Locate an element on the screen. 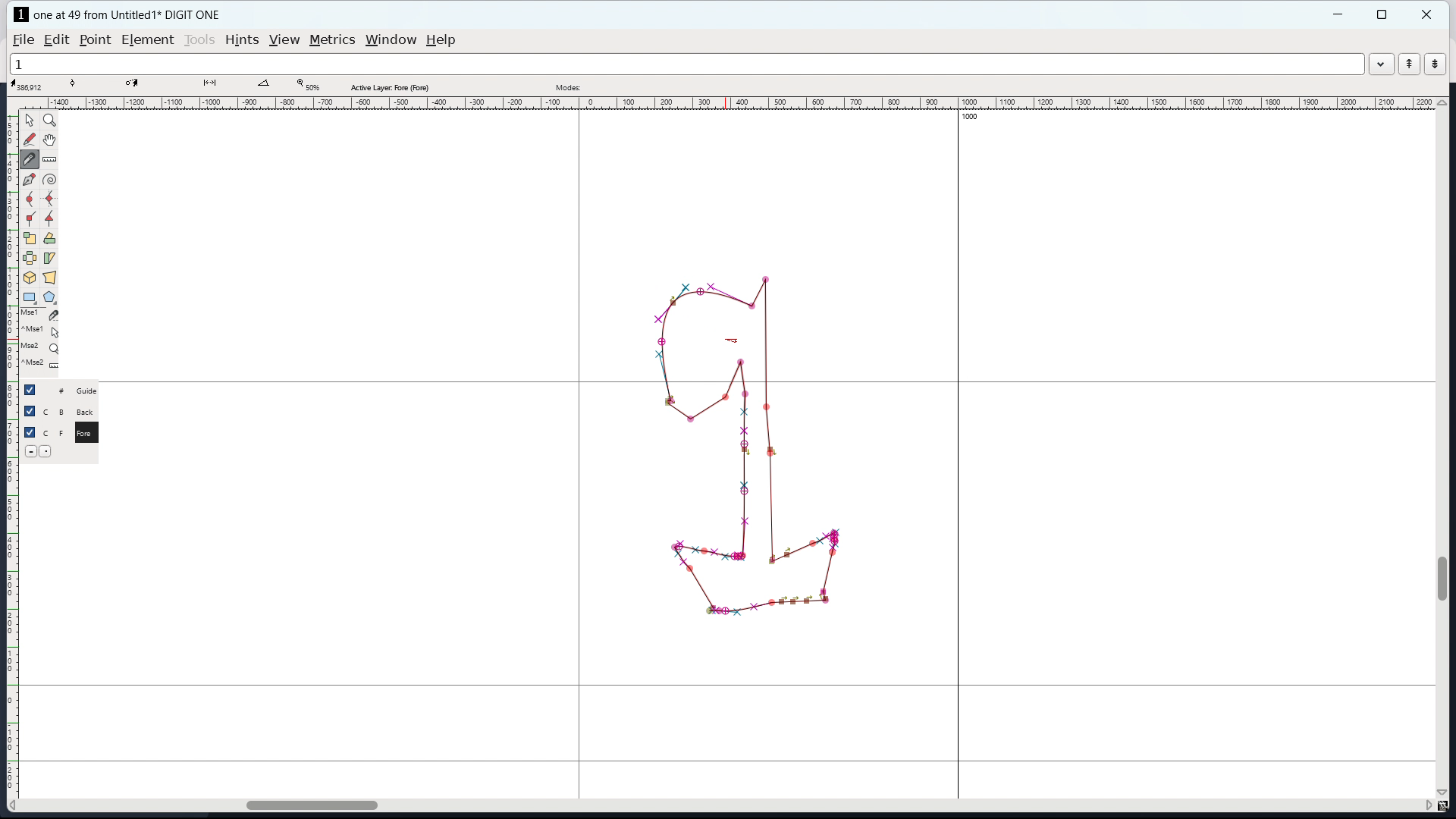  is layer visible is located at coordinates (29, 411).